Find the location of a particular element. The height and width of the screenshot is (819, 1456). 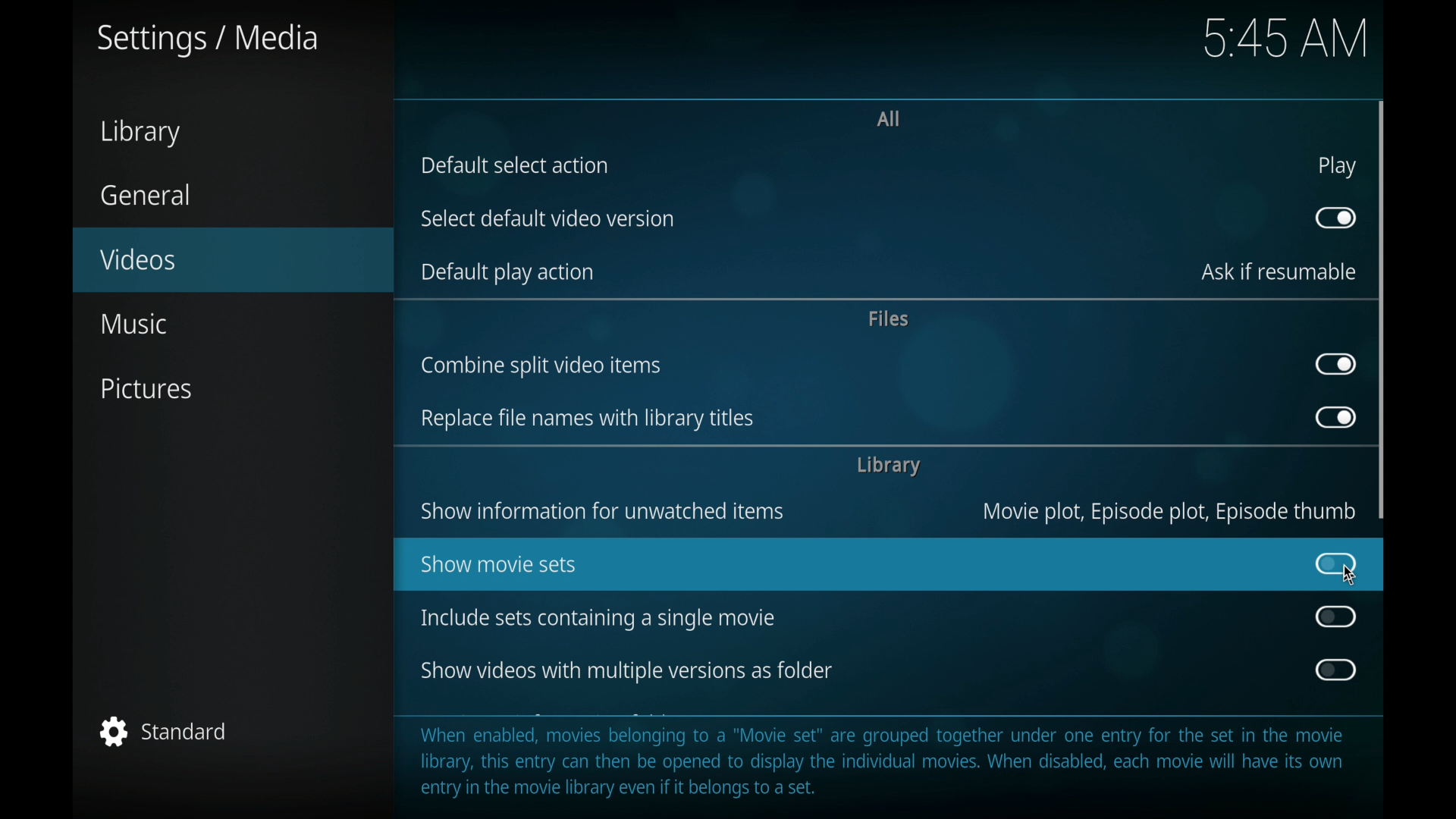

replace file is located at coordinates (587, 419).